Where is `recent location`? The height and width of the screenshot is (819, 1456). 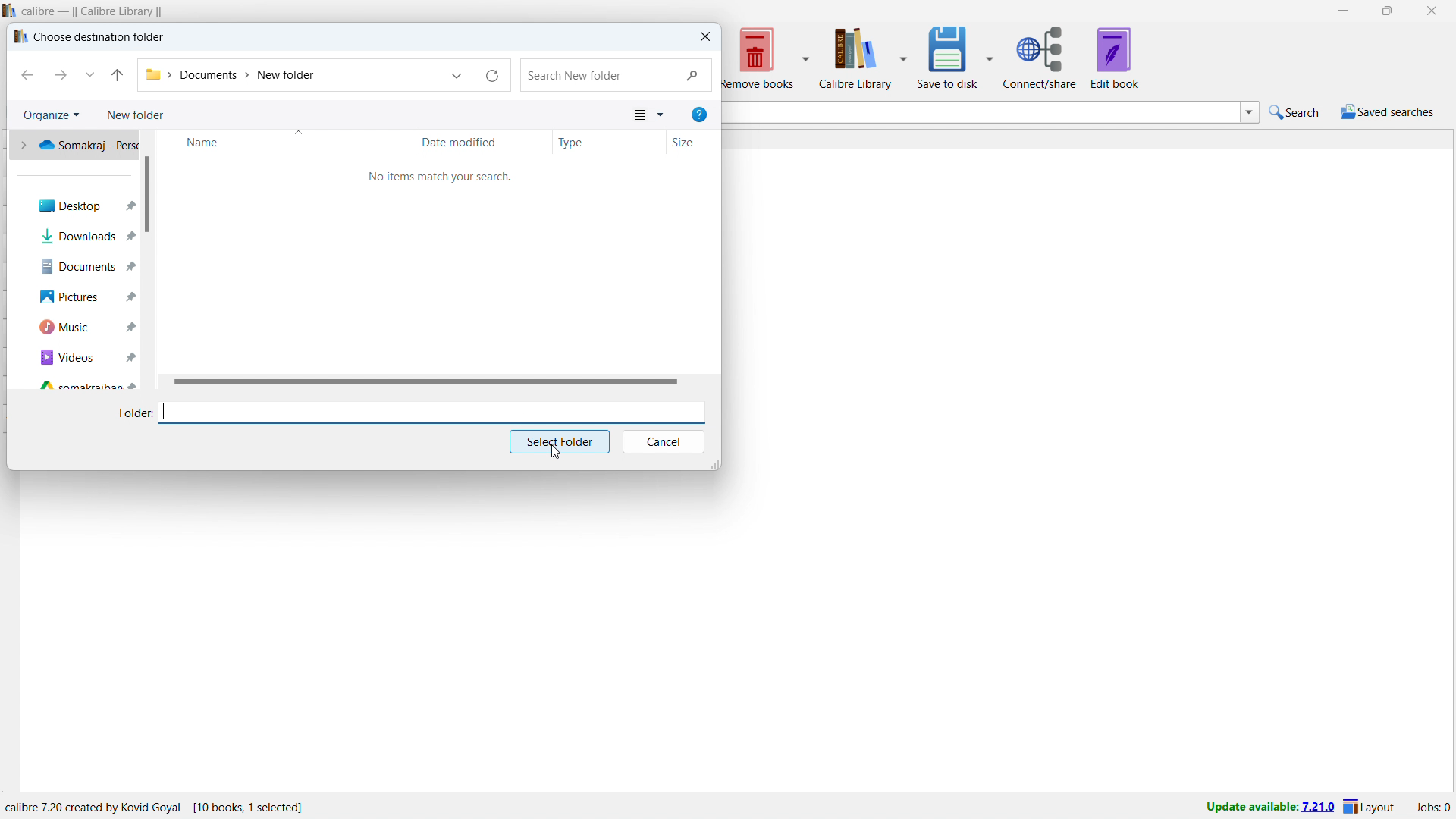
recent location is located at coordinates (90, 74).